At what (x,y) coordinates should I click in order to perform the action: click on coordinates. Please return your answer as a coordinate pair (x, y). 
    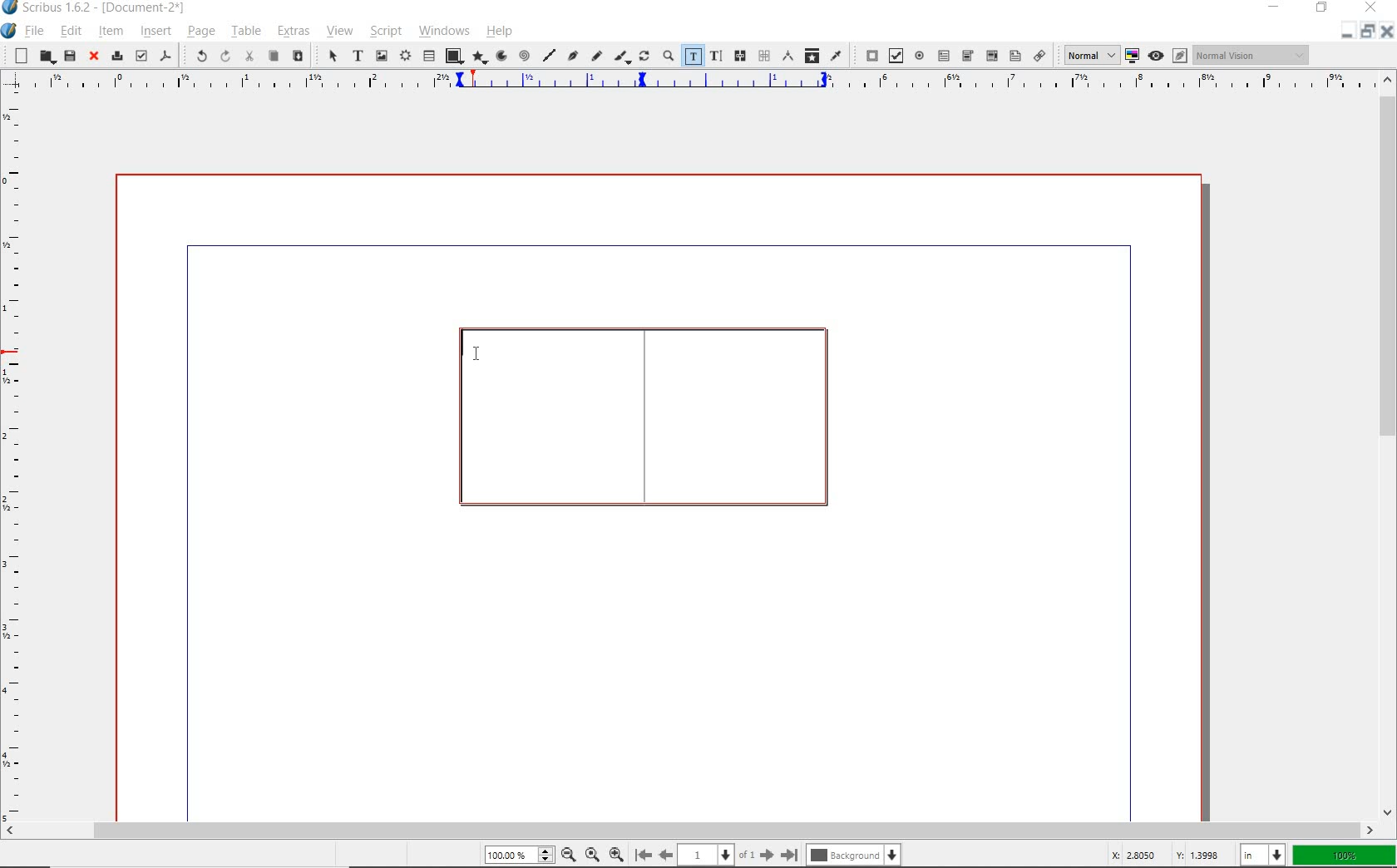
    Looking at the image, I should click on (1164, 856).